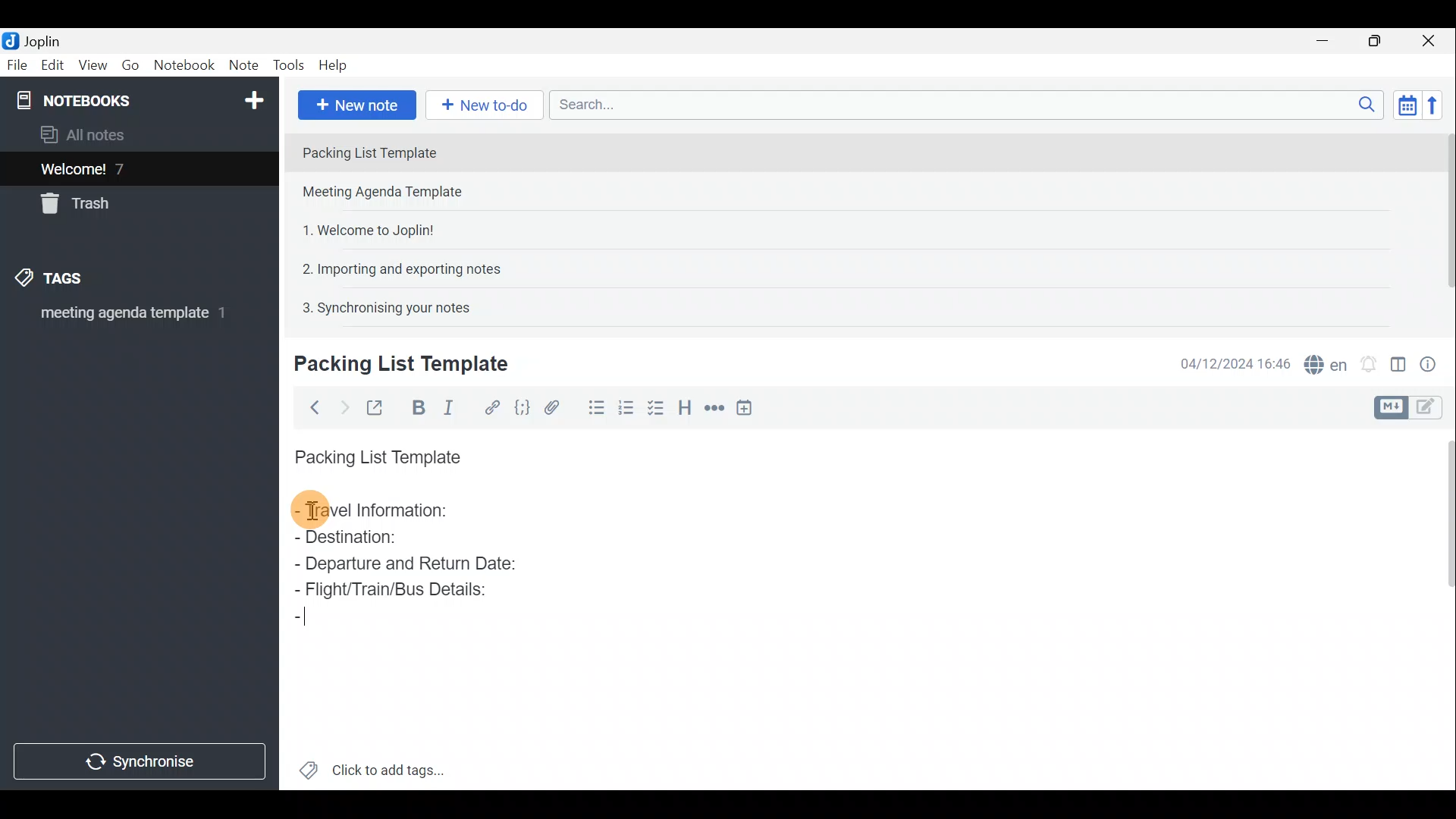 The height and width of the screenshot is (819, 1456). I want to click on Reverse sort order, so click(1438, 104).